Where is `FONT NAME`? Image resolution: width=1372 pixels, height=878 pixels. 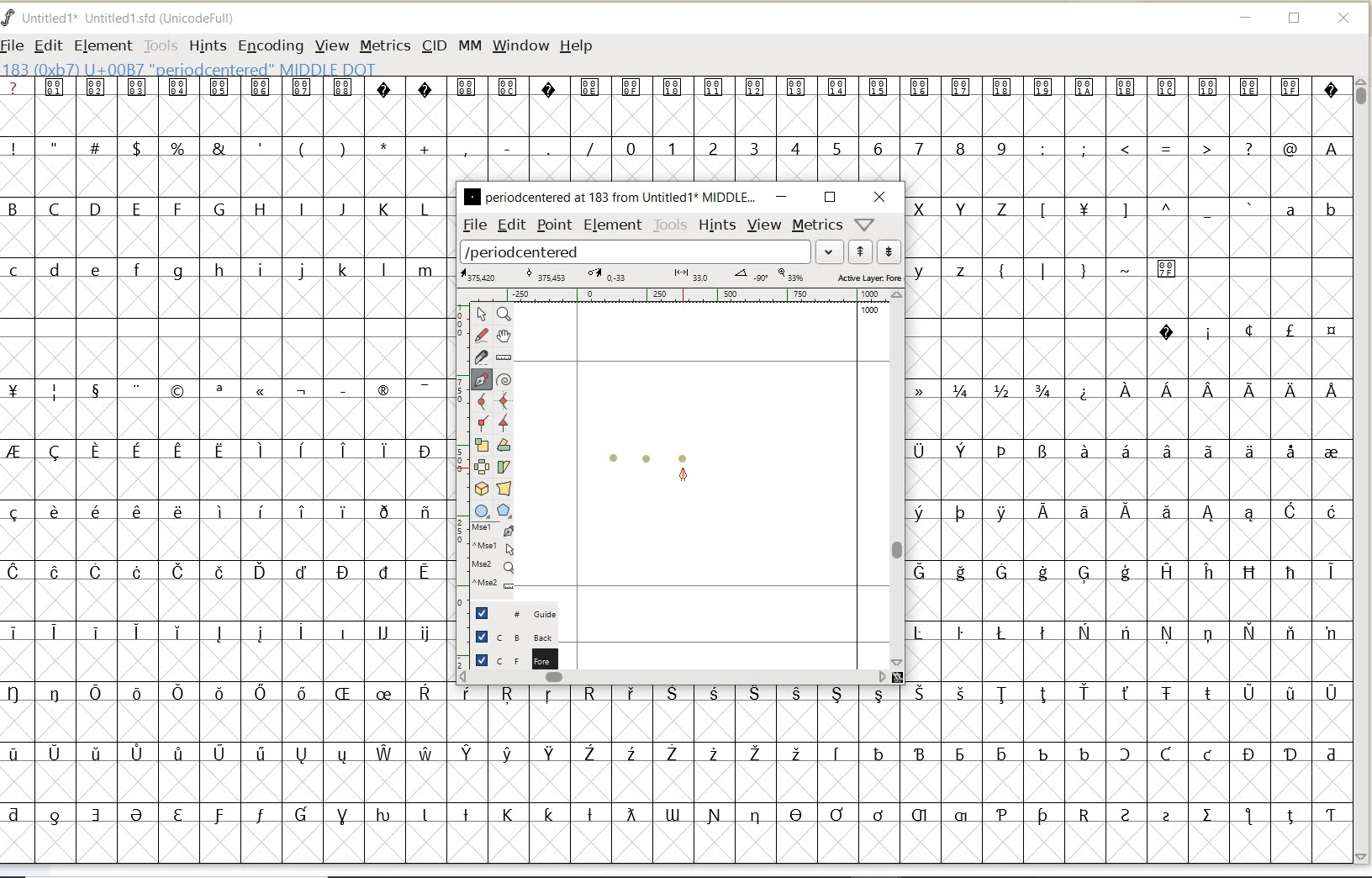 FONT NAME is located at coordinates (131, 19).